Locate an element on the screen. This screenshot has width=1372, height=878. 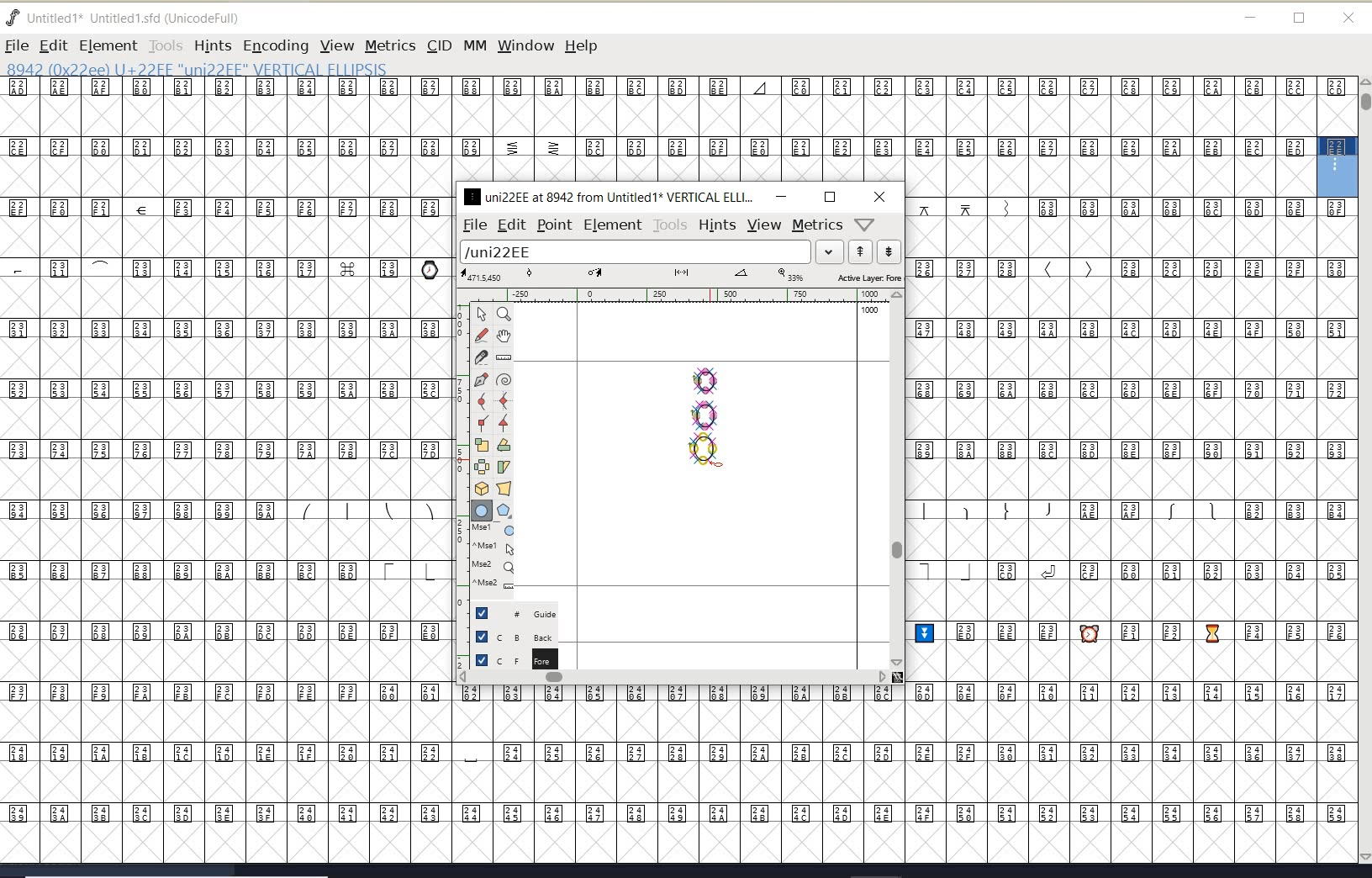
measure distance, angle between points is located at coordinates (504, 357).